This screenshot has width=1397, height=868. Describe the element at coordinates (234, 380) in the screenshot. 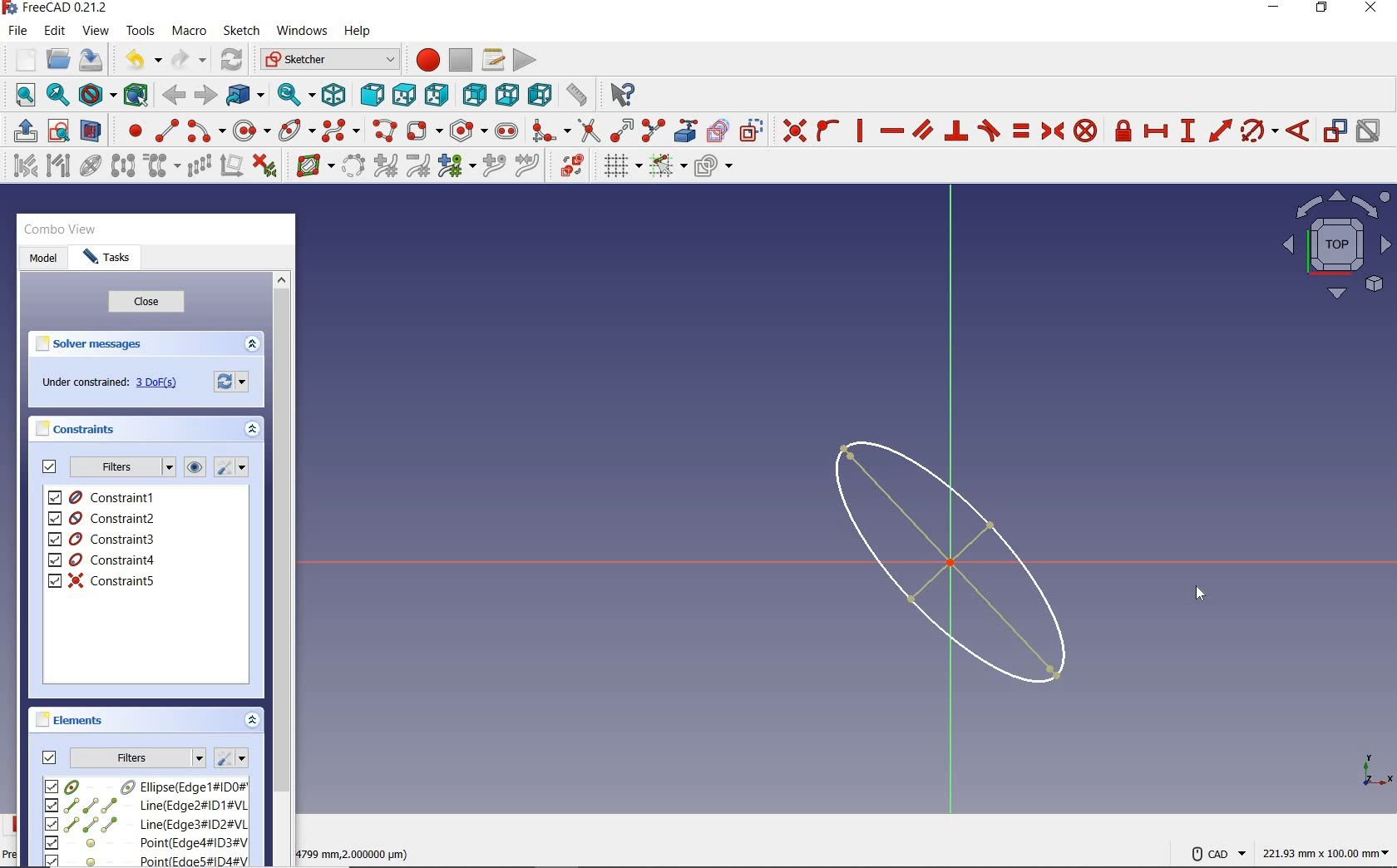

I see `settings` at that location.